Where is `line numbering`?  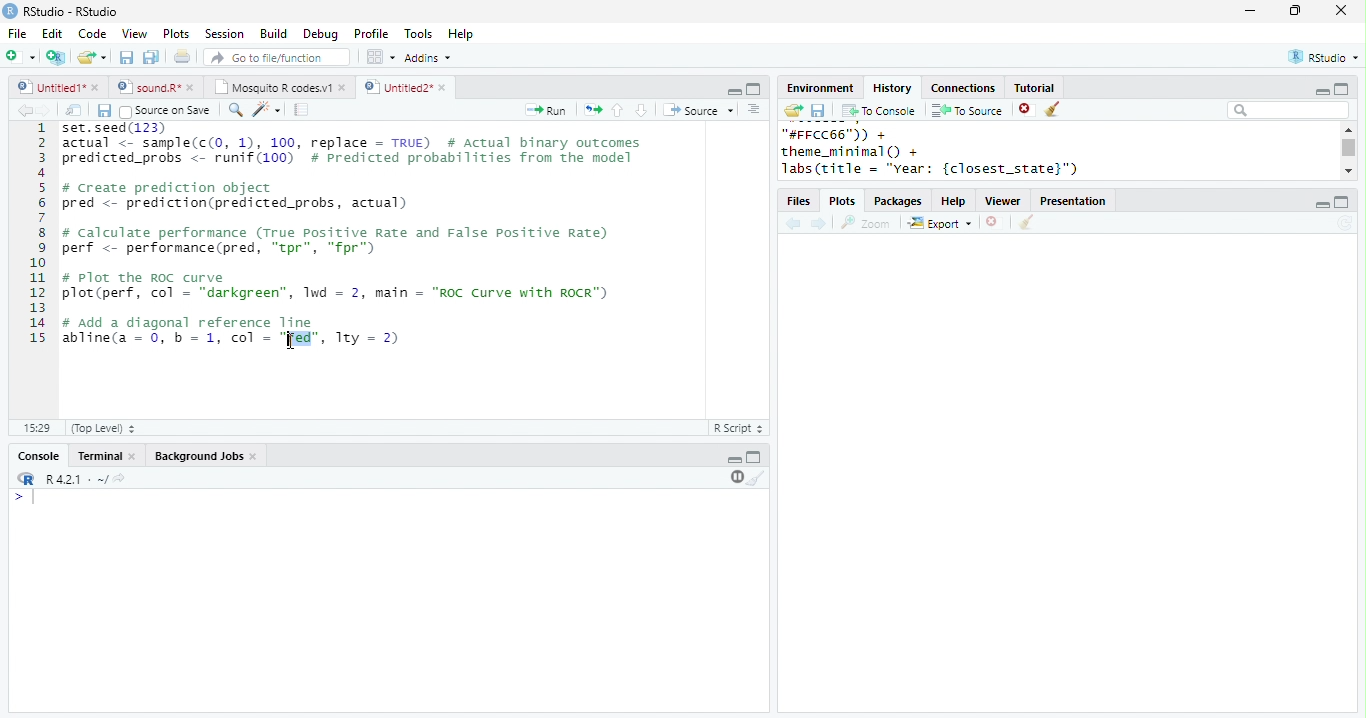
line numbering is located at coordinates (39, 235).